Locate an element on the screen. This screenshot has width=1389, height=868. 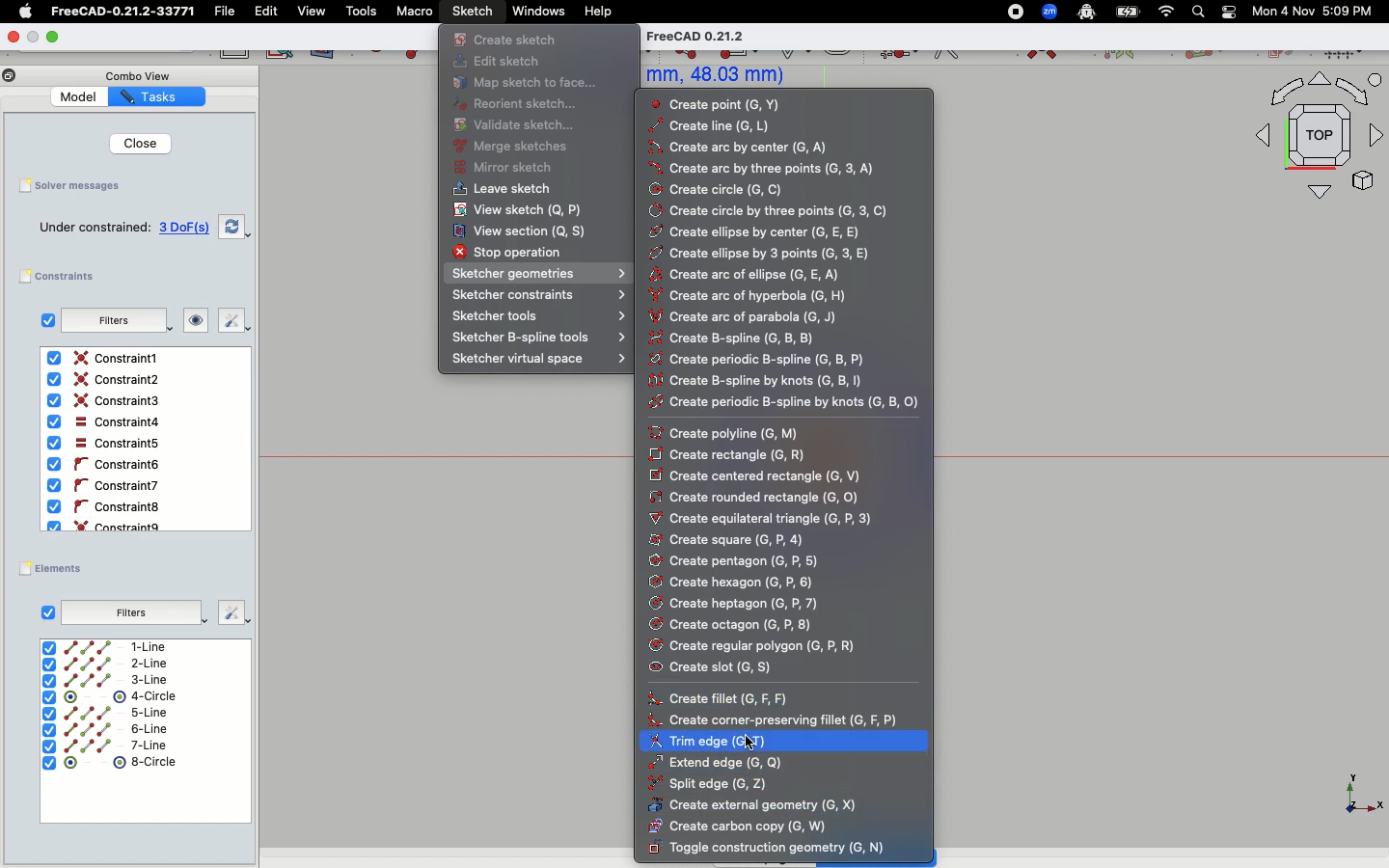
Create poly line  is located at coordinates (727, 433).